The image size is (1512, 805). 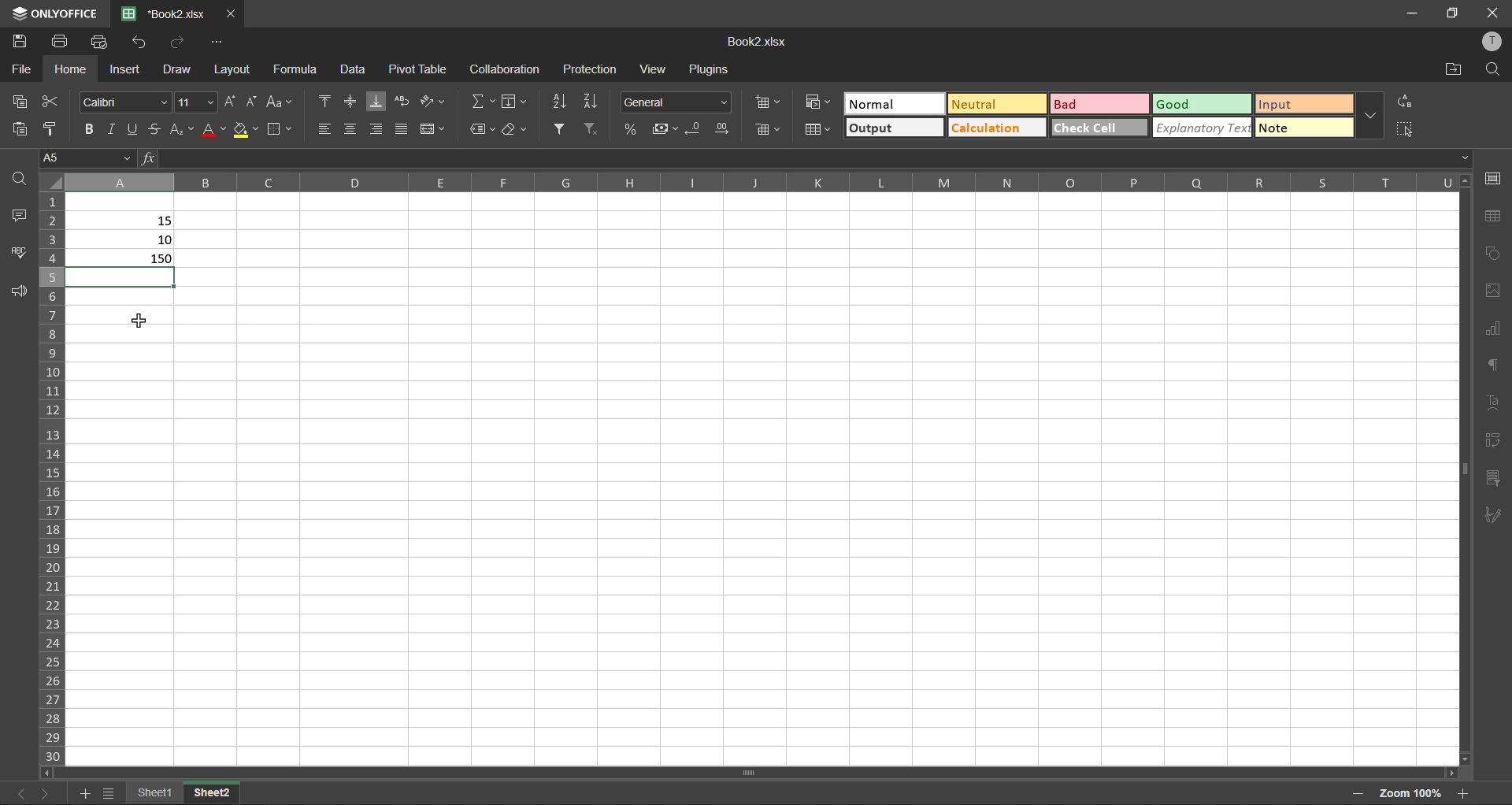 What do you see at coordinates (1410, 12) in the screenshot?
I see `minimize` at bounding box center [1410, 12].